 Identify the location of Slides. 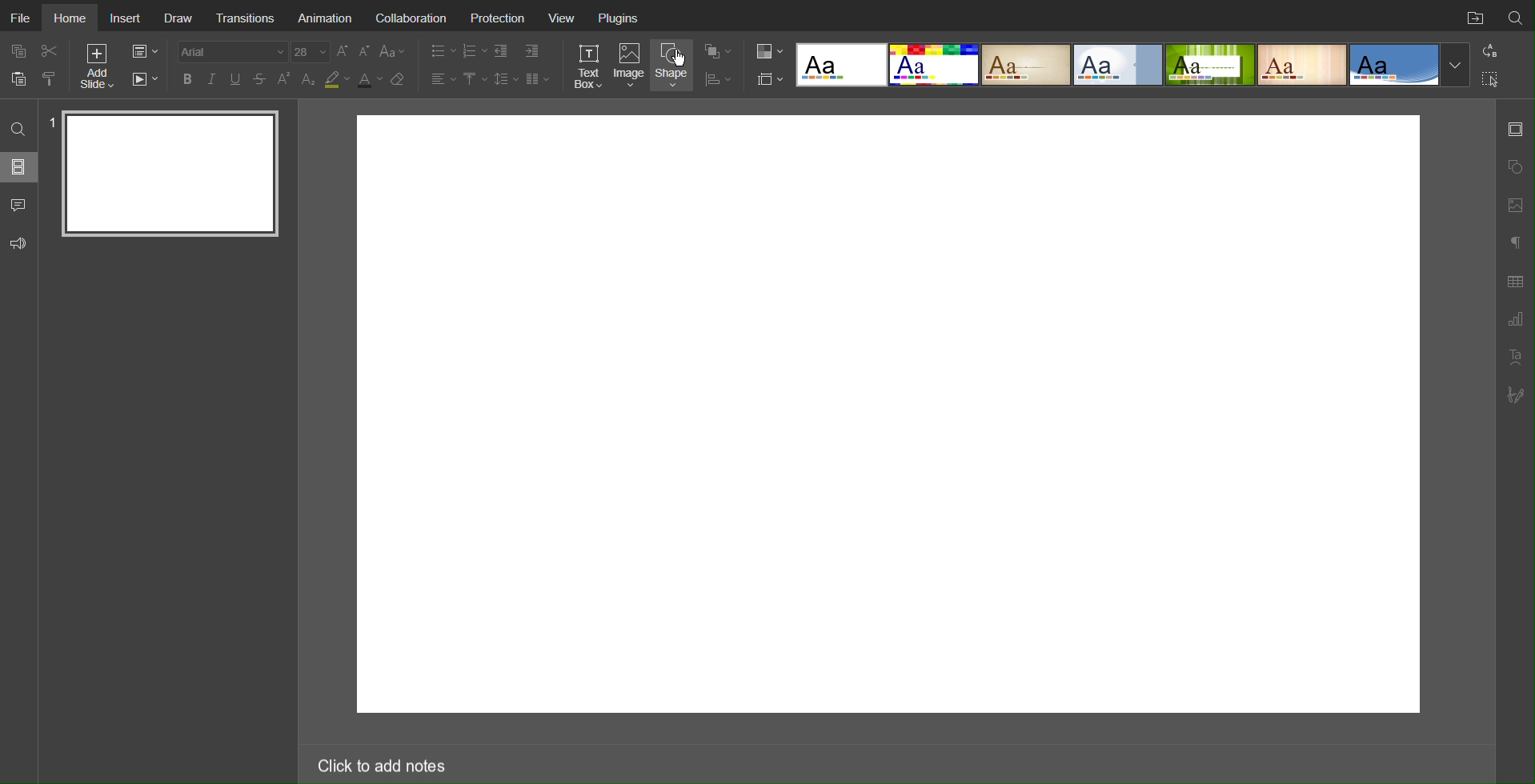
(20, 166).